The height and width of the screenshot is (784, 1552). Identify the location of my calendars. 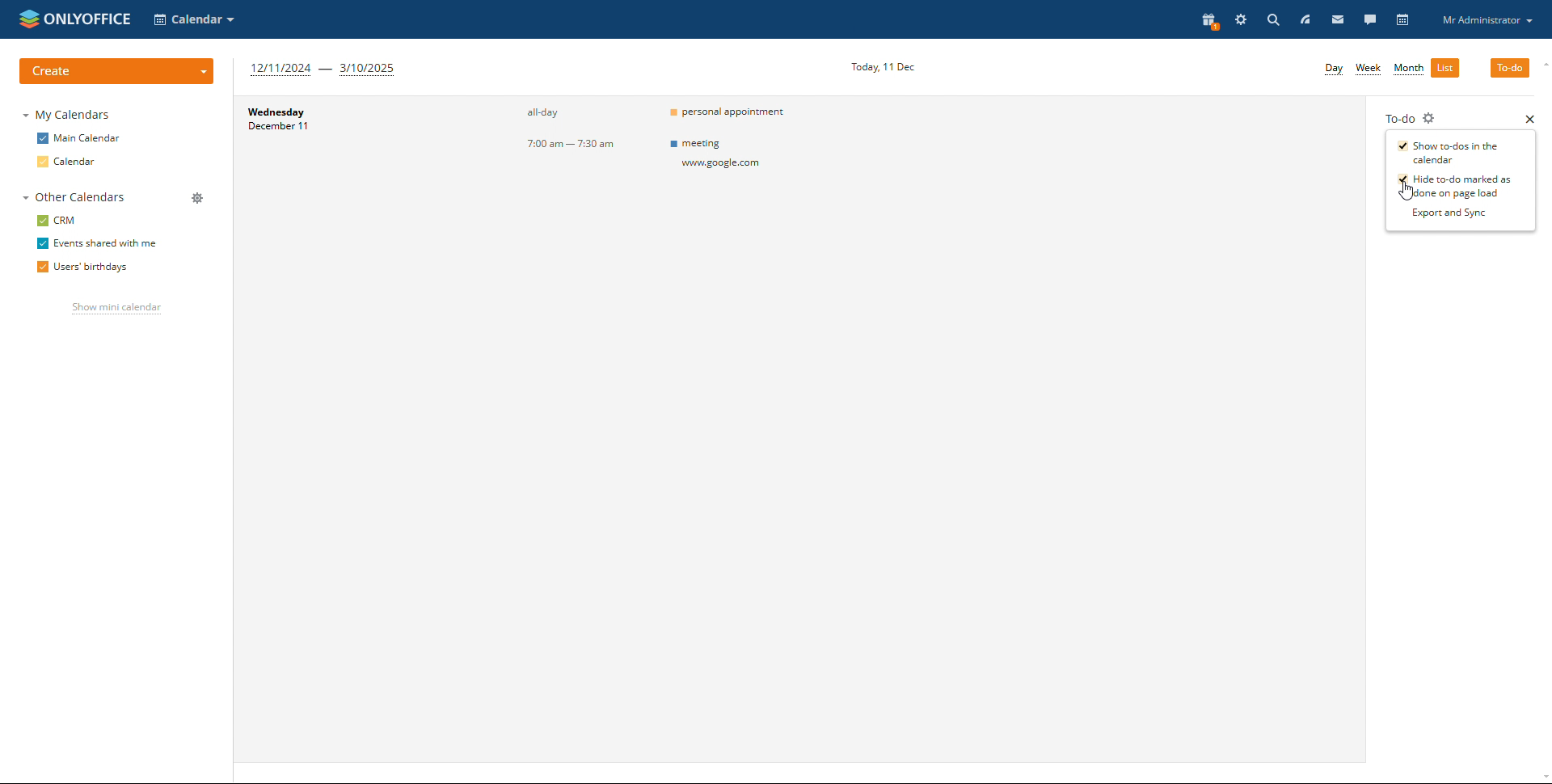
(69, 114).